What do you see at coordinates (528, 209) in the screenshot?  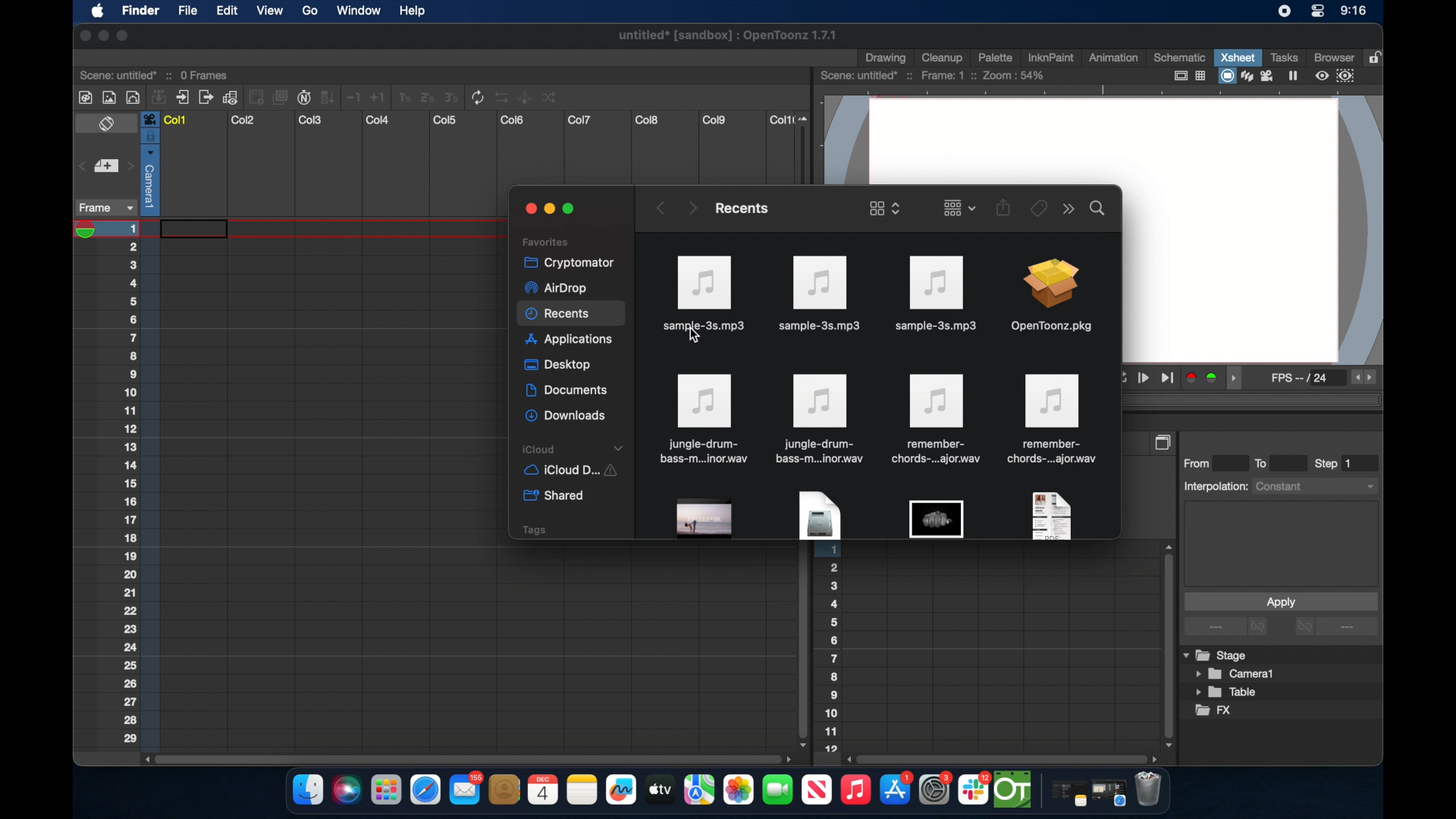 I see `close` at bounding box center [528, 209].